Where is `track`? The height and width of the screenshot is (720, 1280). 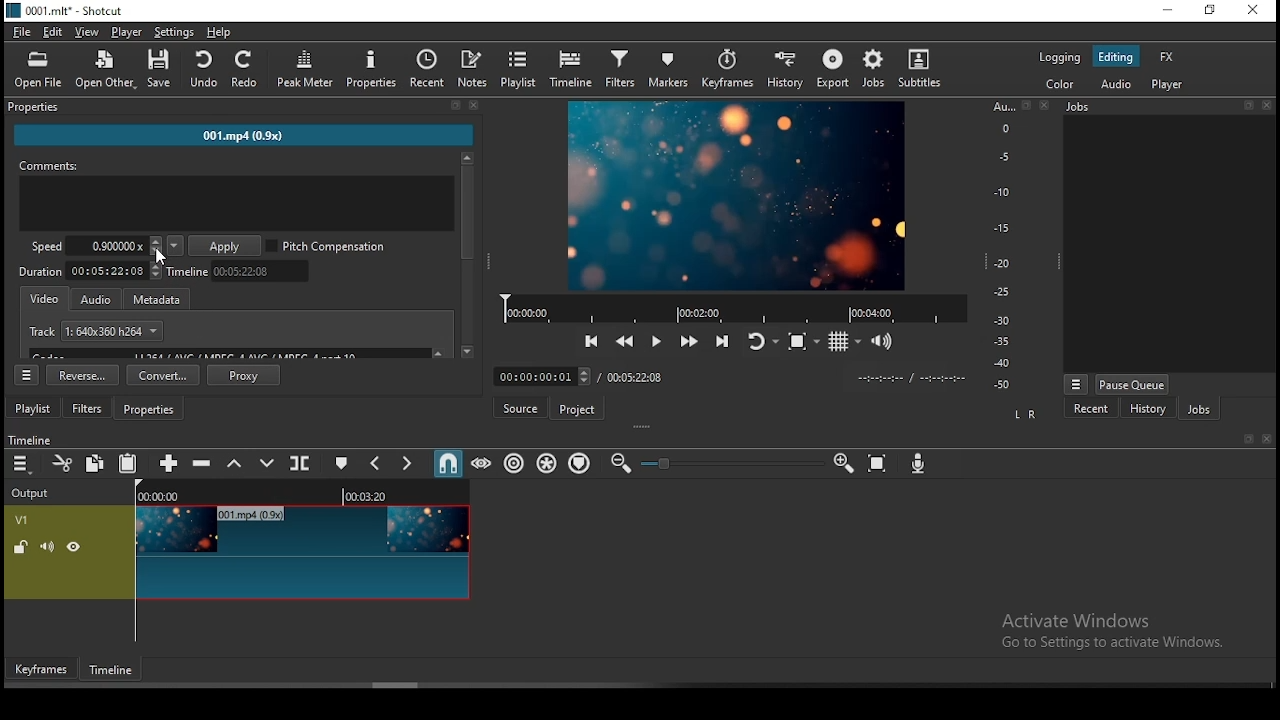 track is located at coordinates (94, 329).